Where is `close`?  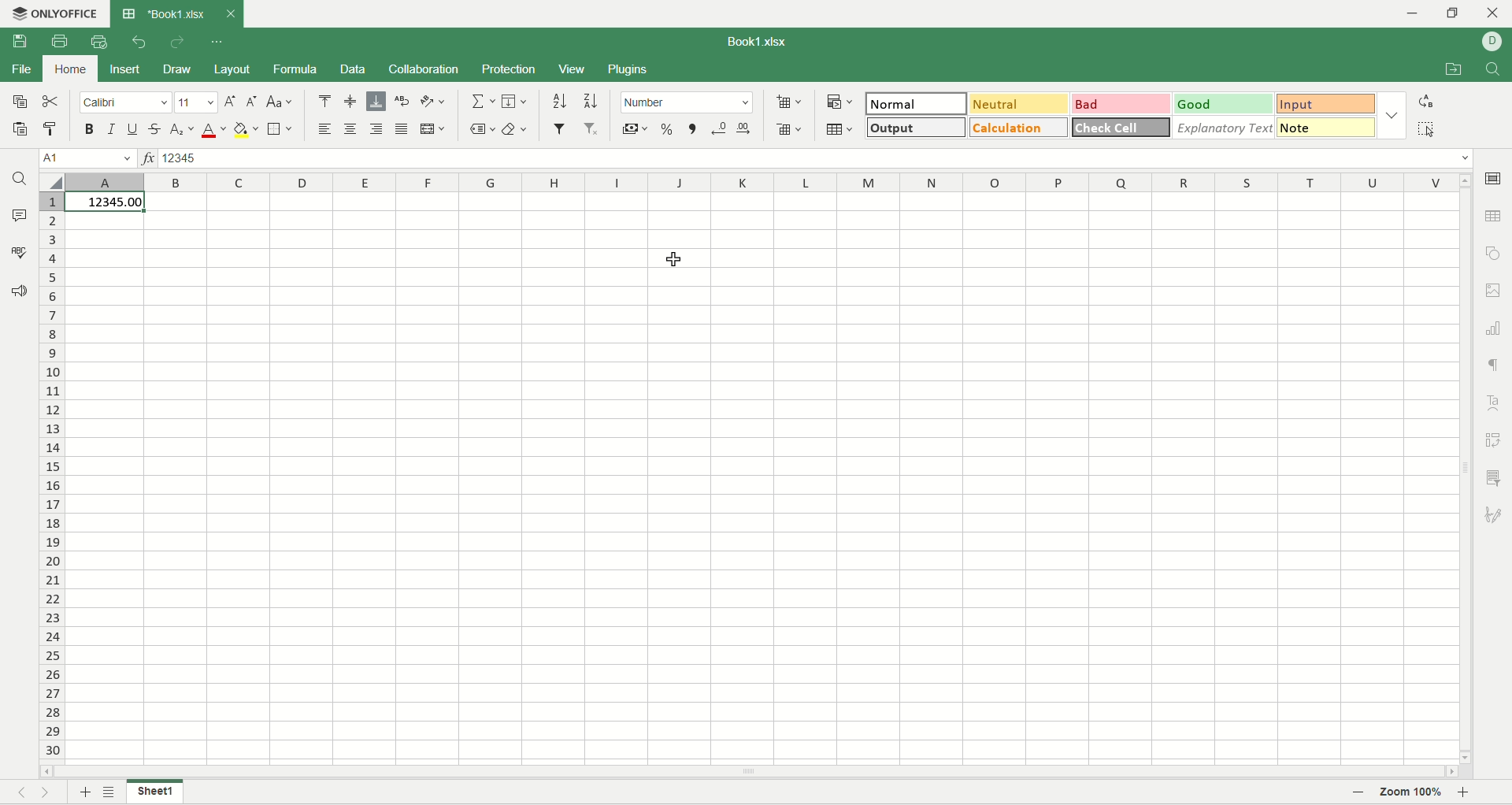
close is located at coordinates (226, 17).